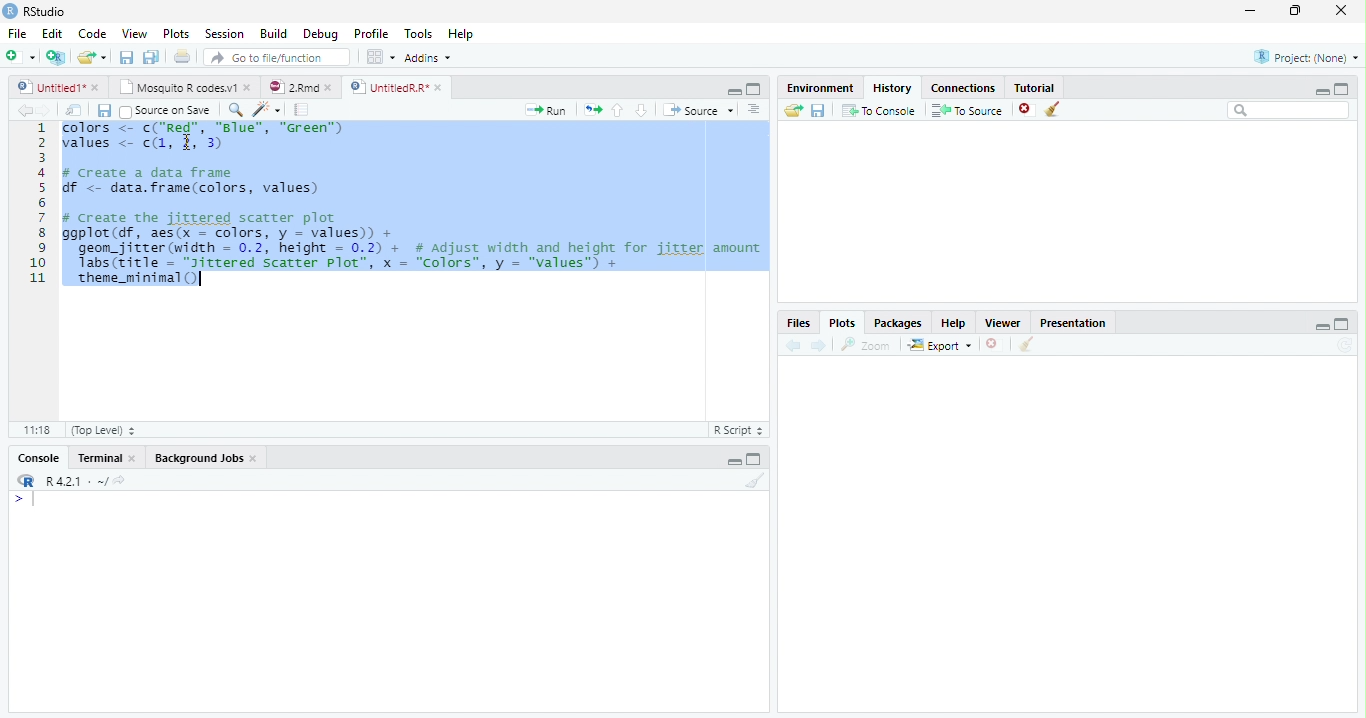 Image resolution: width=1366 pixels, height=718 pixels. What do you see at coordinates (818, 110) in the screenshot?
I see `Save history into a file` at bounding box center [818, 110].